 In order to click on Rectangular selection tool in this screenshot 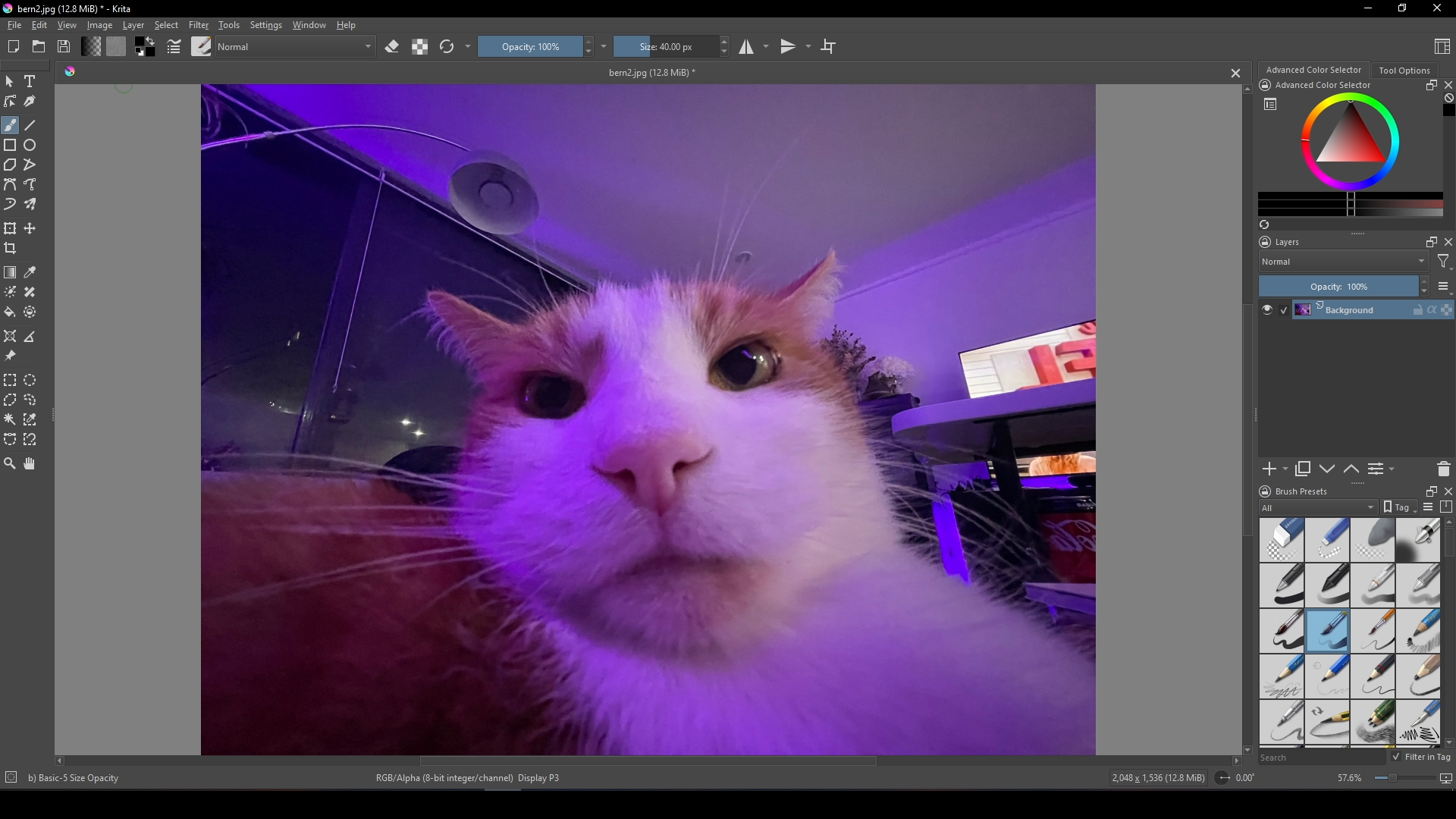, I will do `click(11, 379)`.